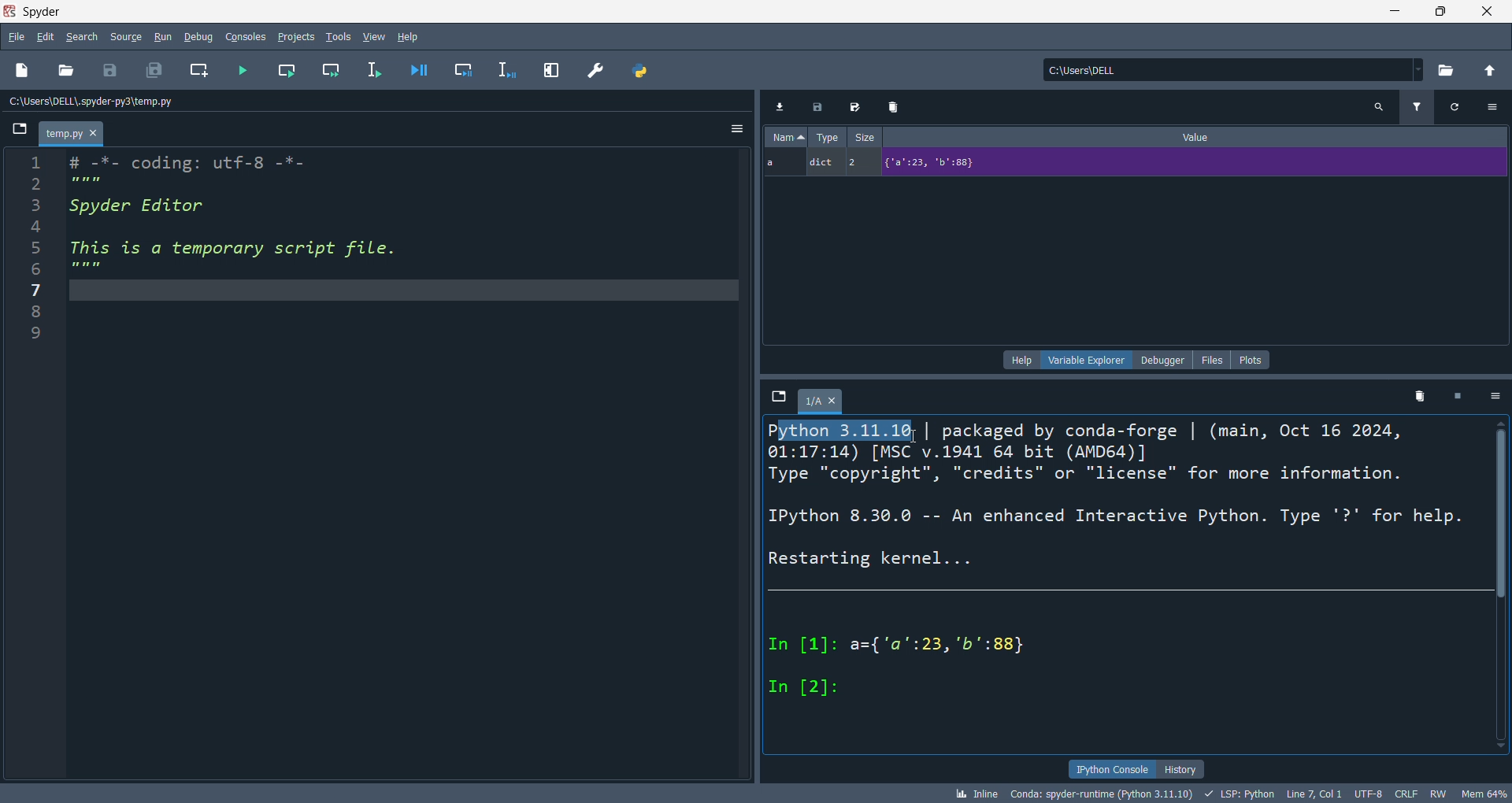 Image resolution: width=1512 pixels, height=803 pixels. I want to click on debugger, so click(1162, 360).